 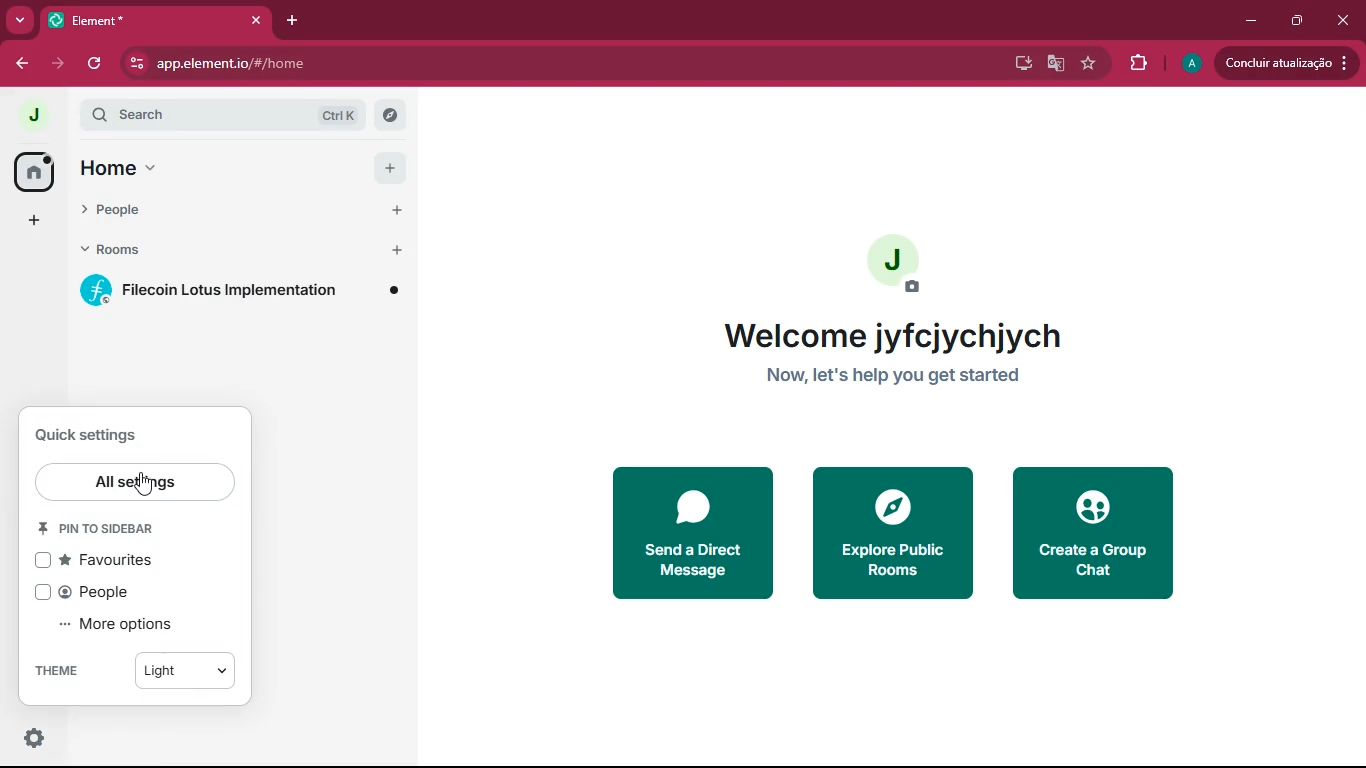 What do you see at coordinates (118, 562) in the screenshot?
I see `favourites` at bounding box center [118, 562].